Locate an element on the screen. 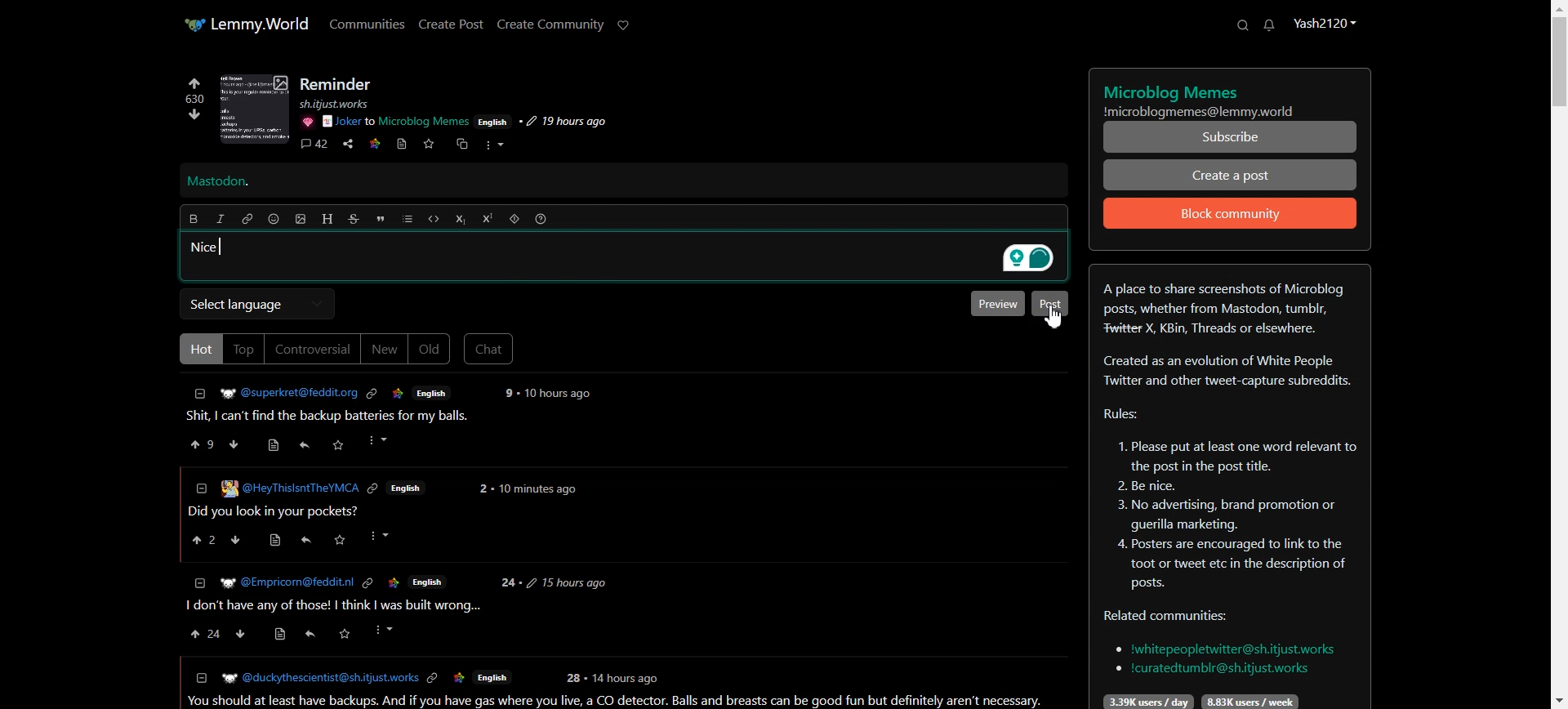  10 minutes ago is located at coordinates (537, 491).